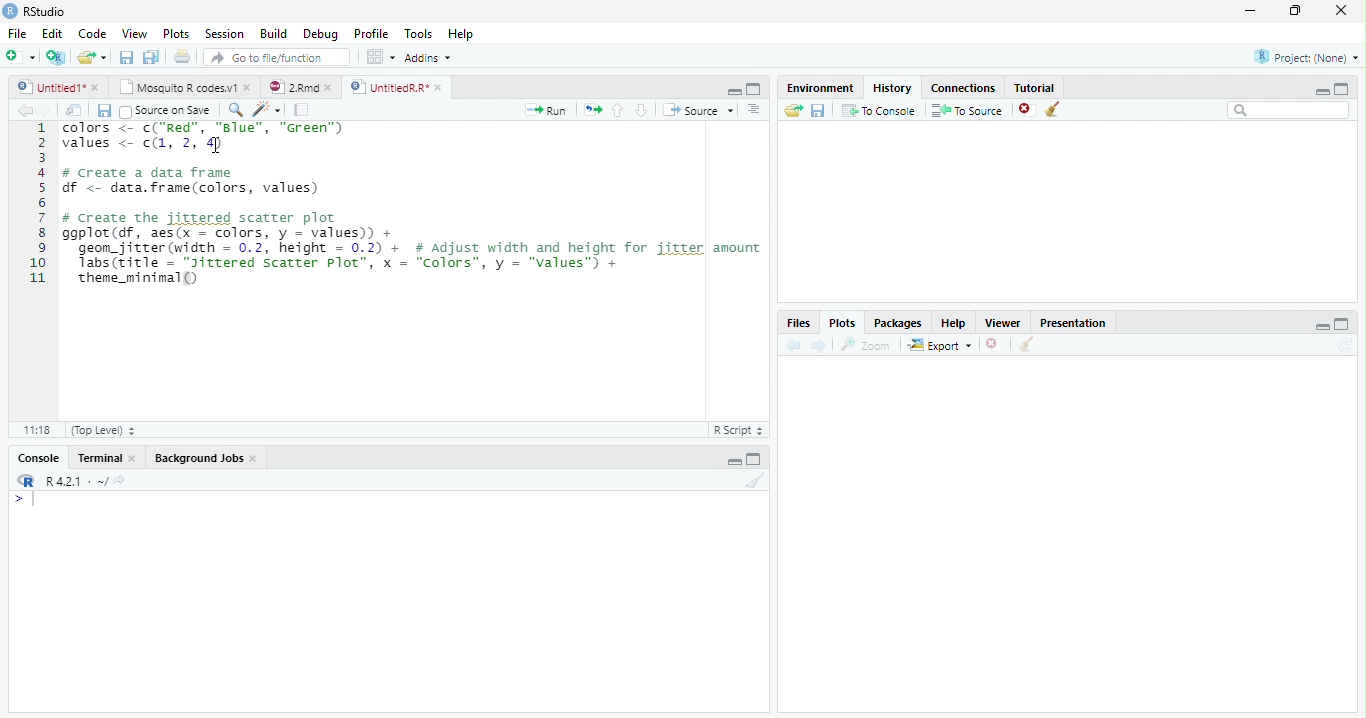  I want to click on Tools, so click(418, 33).